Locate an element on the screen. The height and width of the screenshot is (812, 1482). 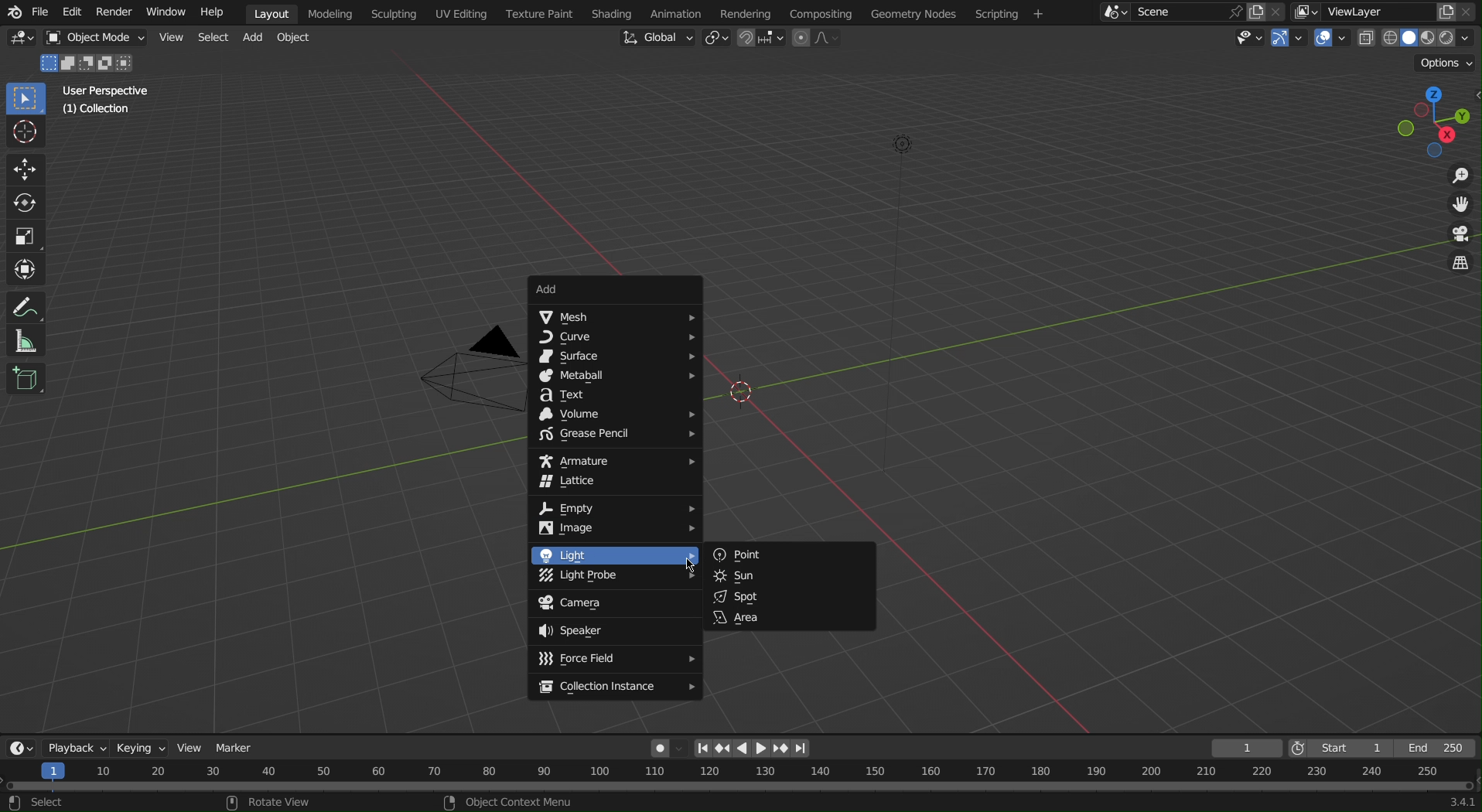
Object Mode is located at coordinates (92, 39).